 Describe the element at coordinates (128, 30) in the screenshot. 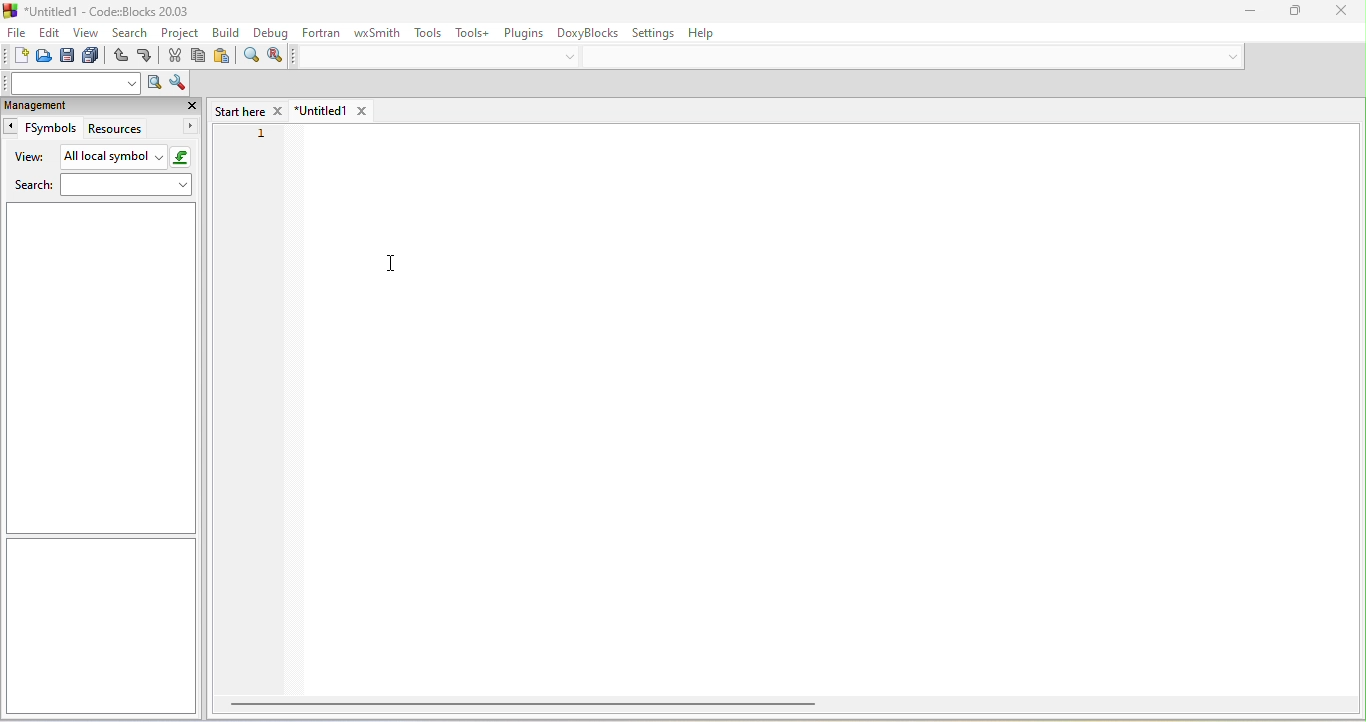

I see `search` at that location.